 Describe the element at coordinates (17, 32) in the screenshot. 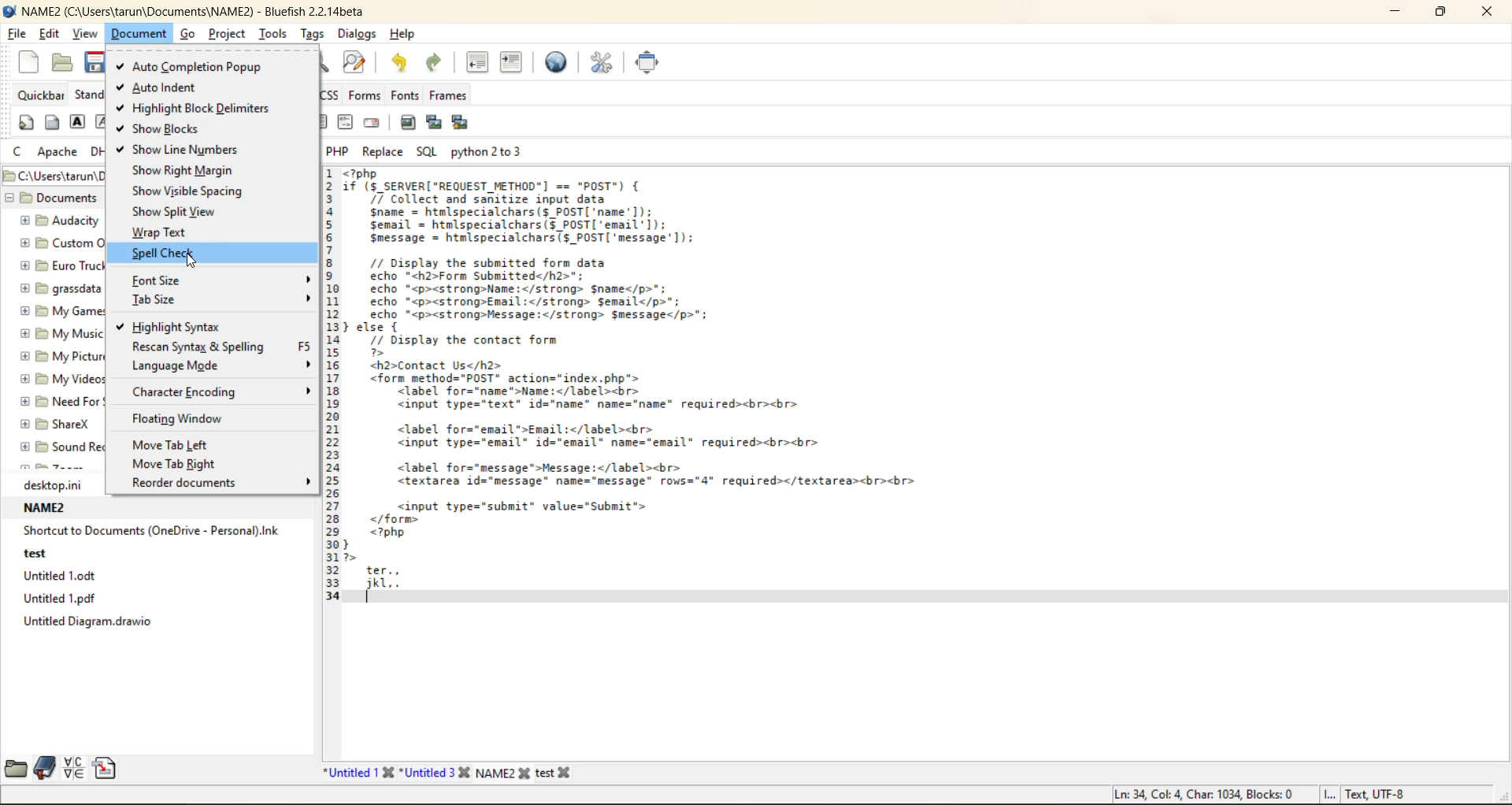

I see `file` at that location.